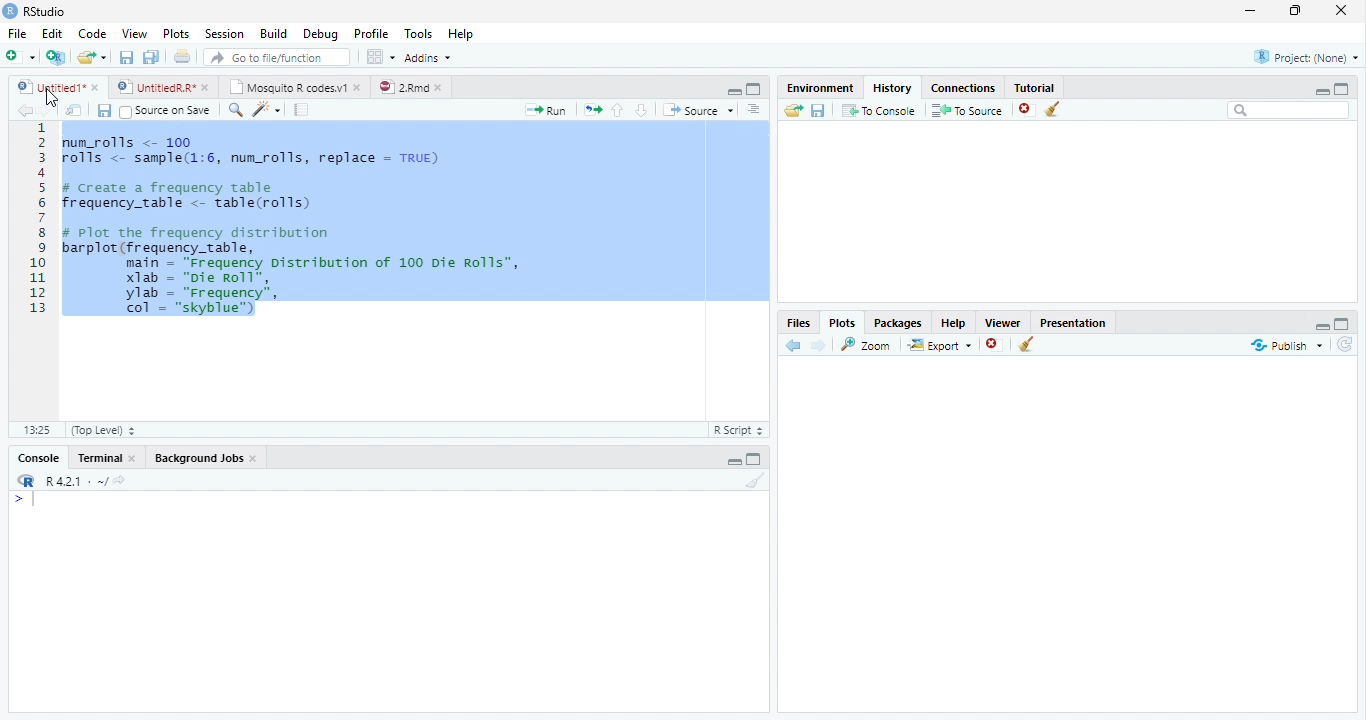 The height and width of the screenshot is (720, 1366). Describe the element at coordinates (1002, 321) in the screenshot. I see `Viewer` at that location.